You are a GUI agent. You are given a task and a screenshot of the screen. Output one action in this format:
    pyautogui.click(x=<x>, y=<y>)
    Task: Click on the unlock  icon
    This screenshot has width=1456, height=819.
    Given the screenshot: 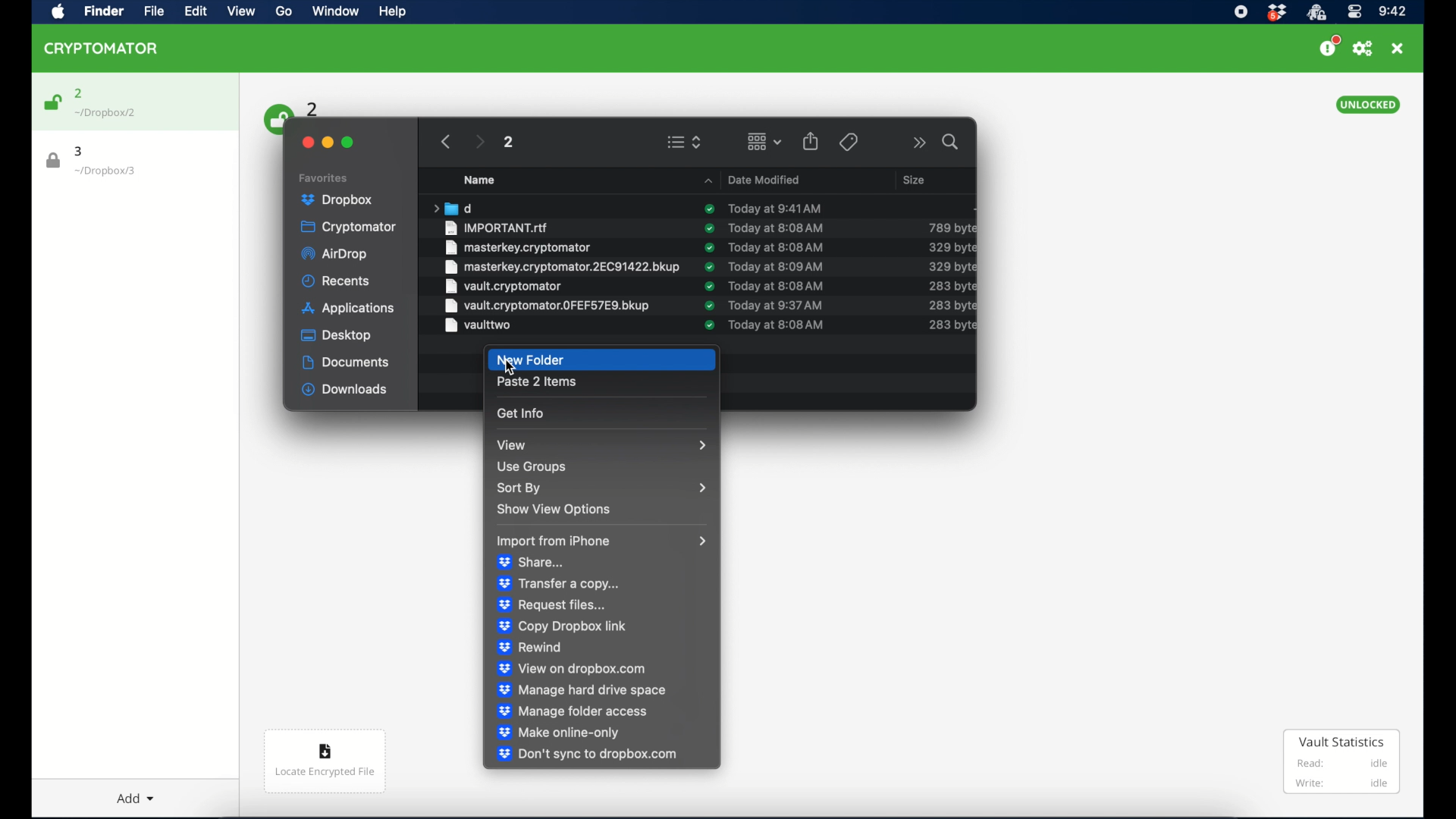 What is the action you would take?
    pyautogui.click(x=52, y=102)
    